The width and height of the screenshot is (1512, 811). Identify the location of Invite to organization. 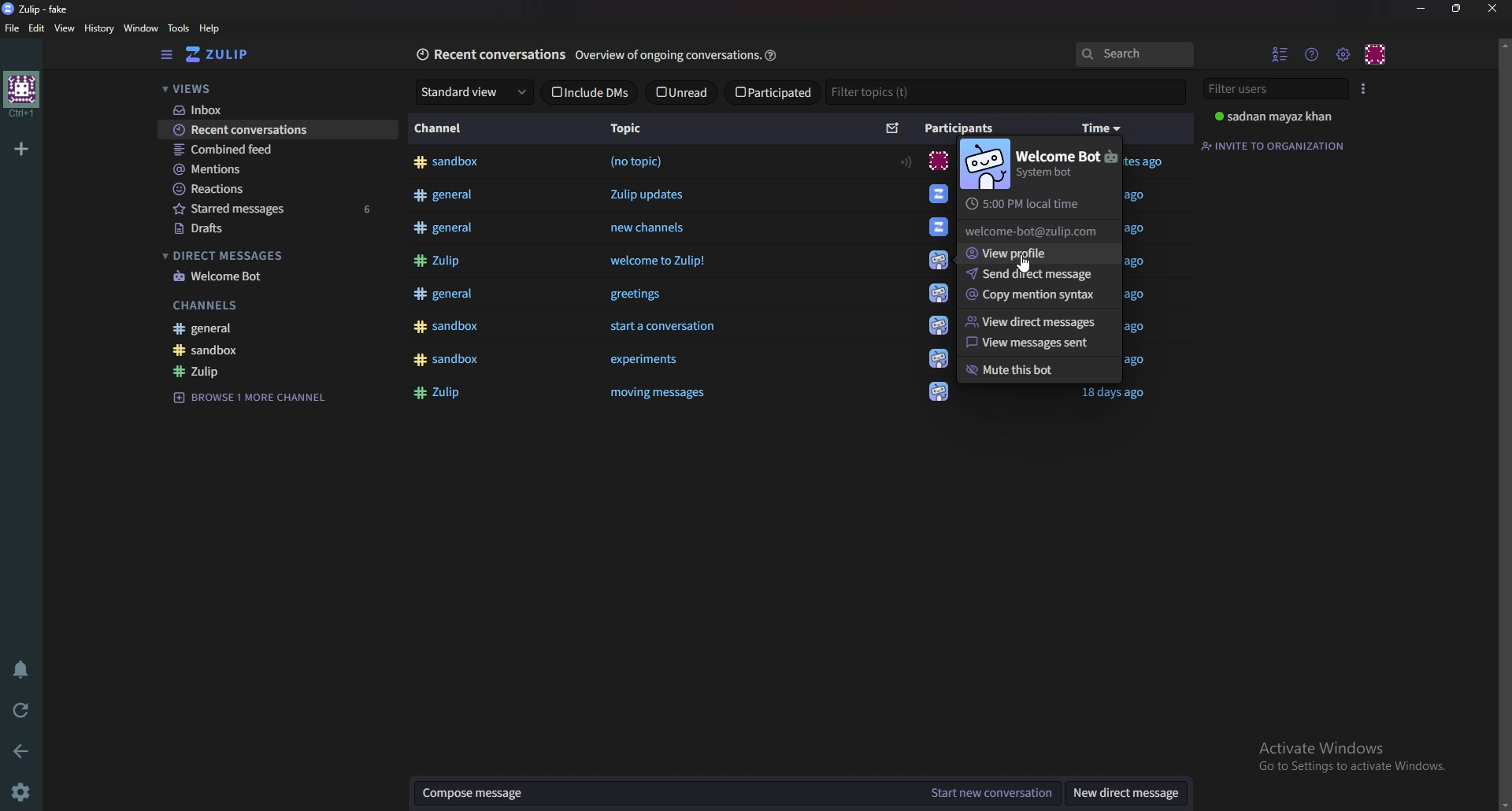
(1275, 145).